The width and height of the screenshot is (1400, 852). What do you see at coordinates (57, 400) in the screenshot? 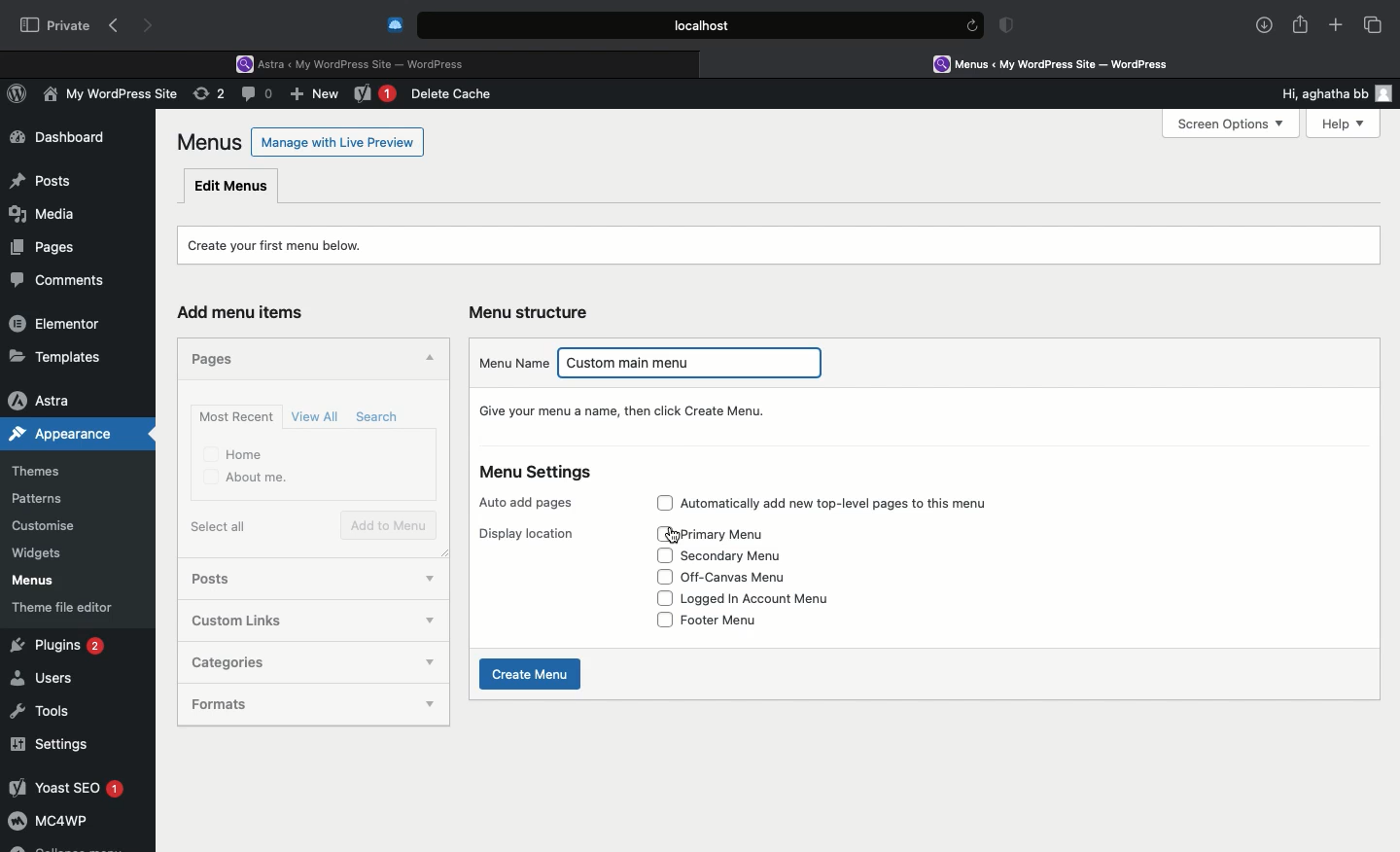
I see `Astra` at bounding box center [57, 400].